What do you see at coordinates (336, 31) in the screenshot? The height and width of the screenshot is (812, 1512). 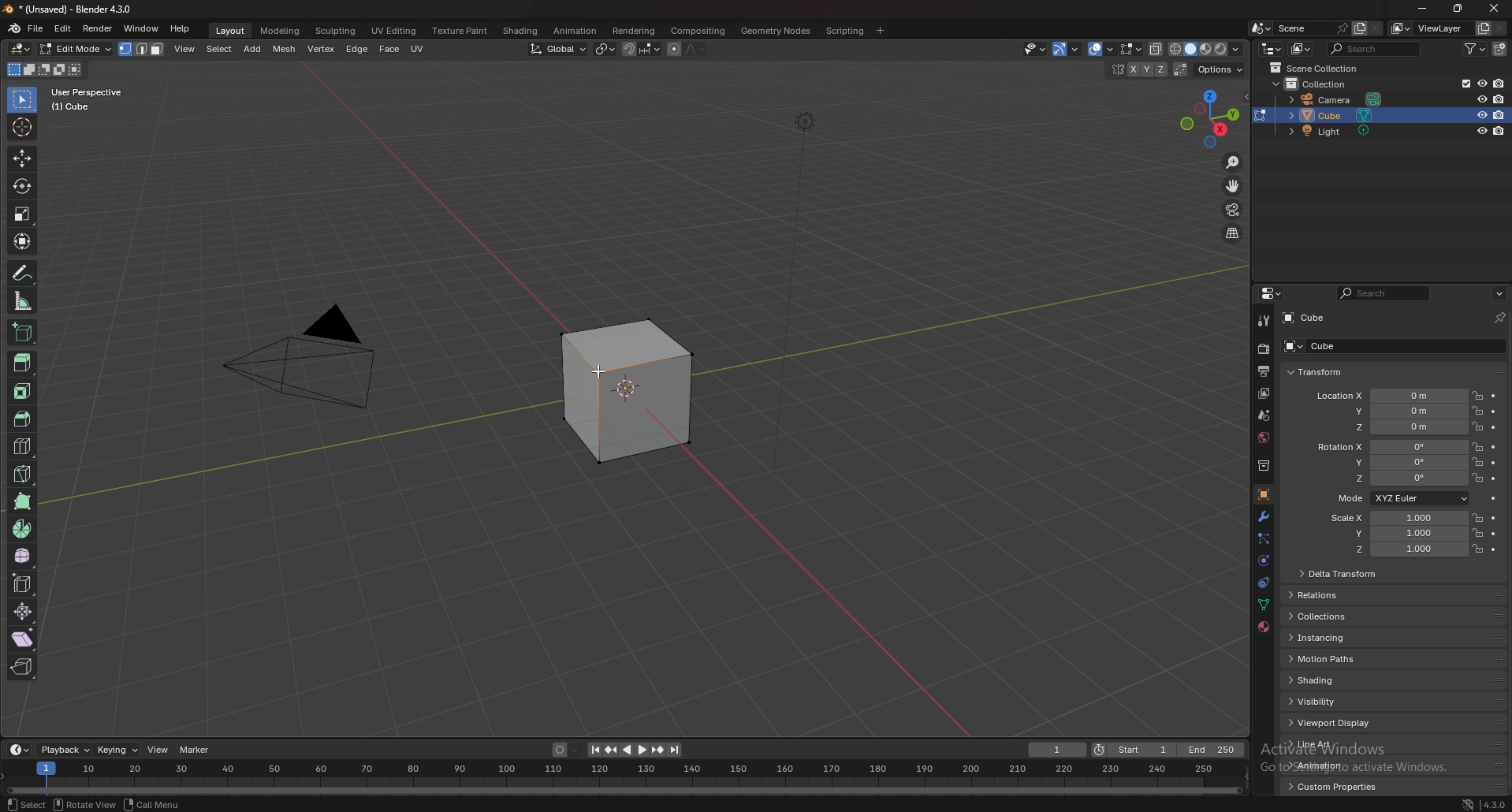 I see `sculpting` at bounding box center [336, 31].